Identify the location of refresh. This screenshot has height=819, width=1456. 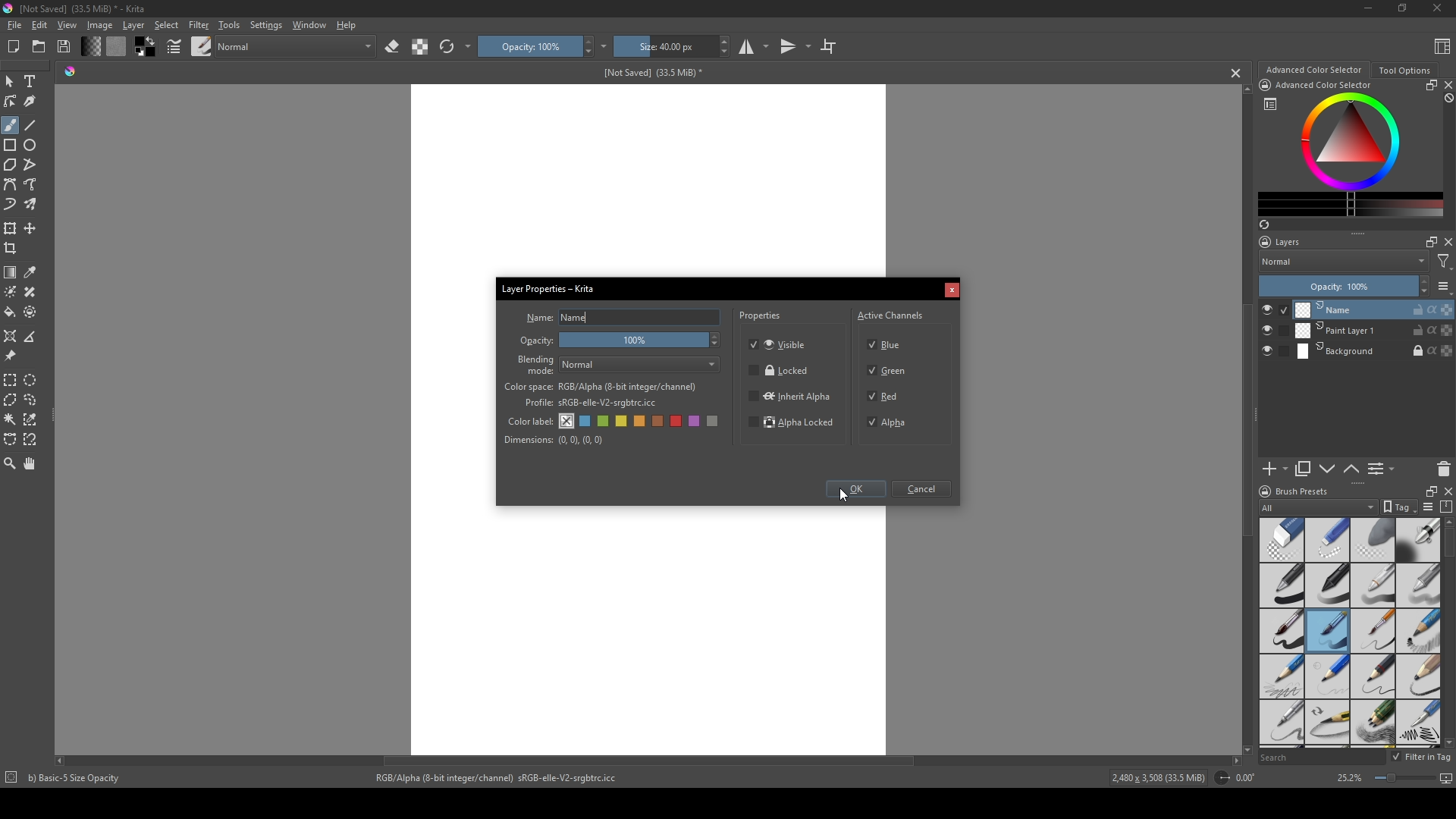
(447, 47).